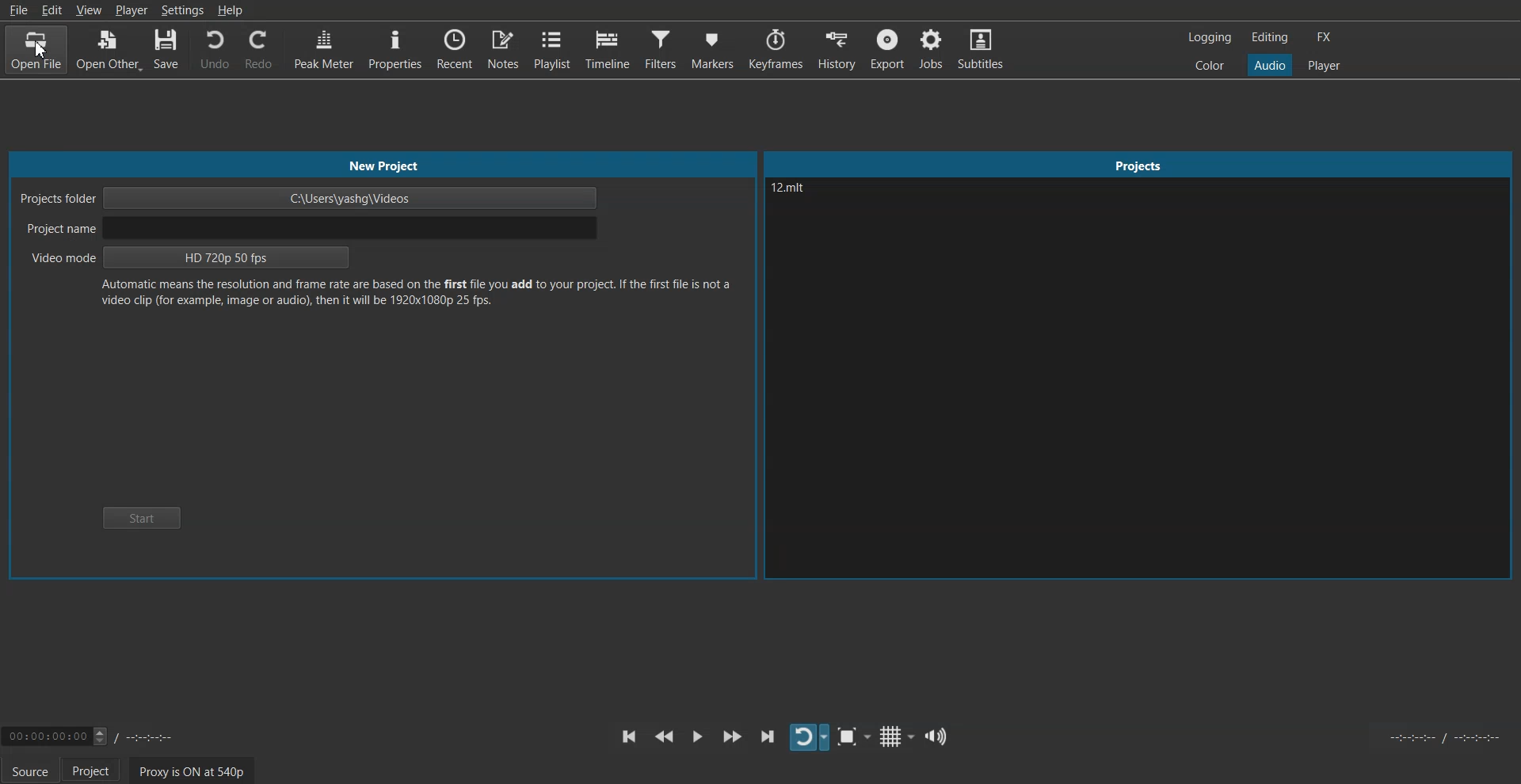 The image size is (1521, 784). What do you see at coordinates (45, 57) in the screenshot?
I see `cursor` at bounding box center [45, 57].